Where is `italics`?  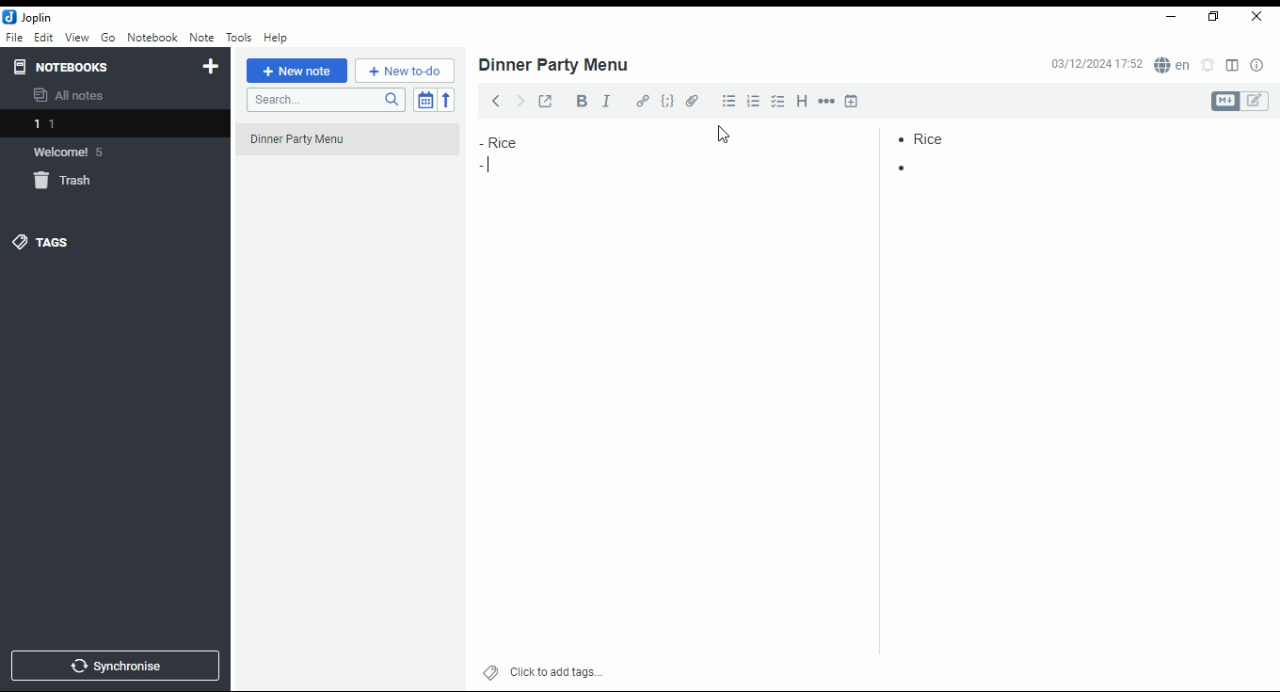
italics is located at coordinates (607, 100).